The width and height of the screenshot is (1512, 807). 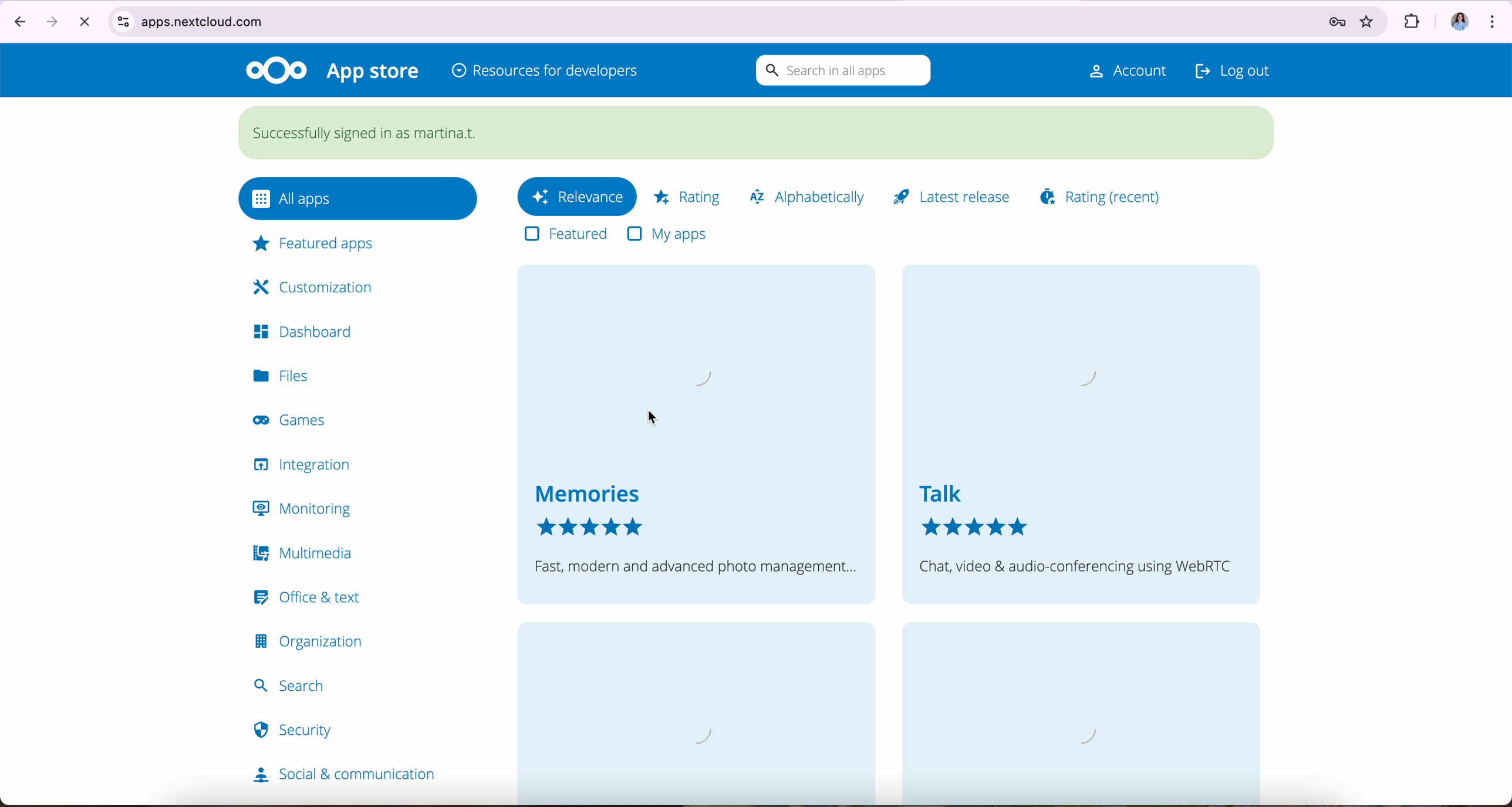 What do you see at coordinates (315, 244) in the screenshot?
I see `featured apps` at bounding box center [315, 244].